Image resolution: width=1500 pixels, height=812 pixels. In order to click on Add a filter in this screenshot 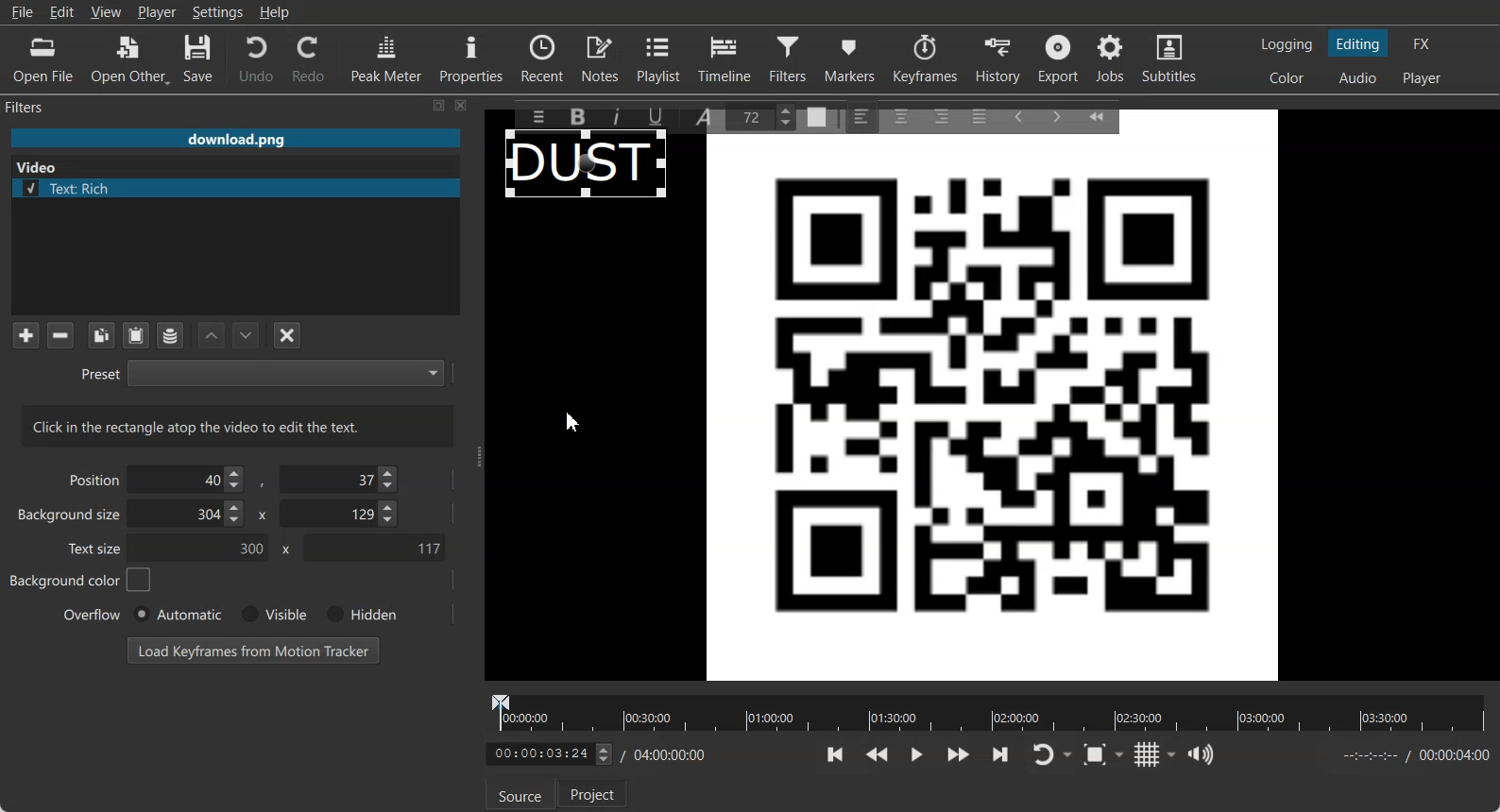, I will do `click(26, 334)`.